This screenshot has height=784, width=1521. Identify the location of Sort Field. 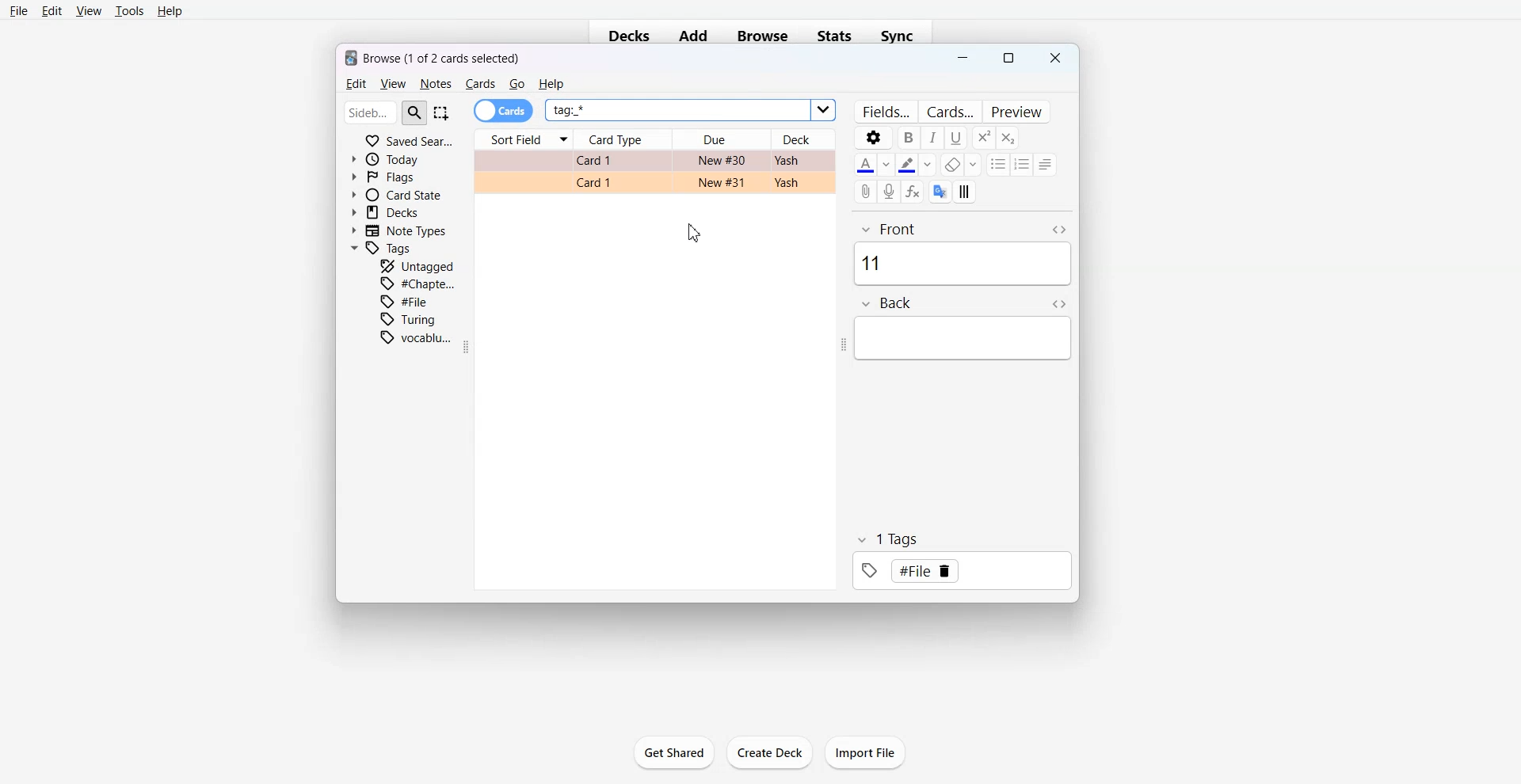
(523, 139).